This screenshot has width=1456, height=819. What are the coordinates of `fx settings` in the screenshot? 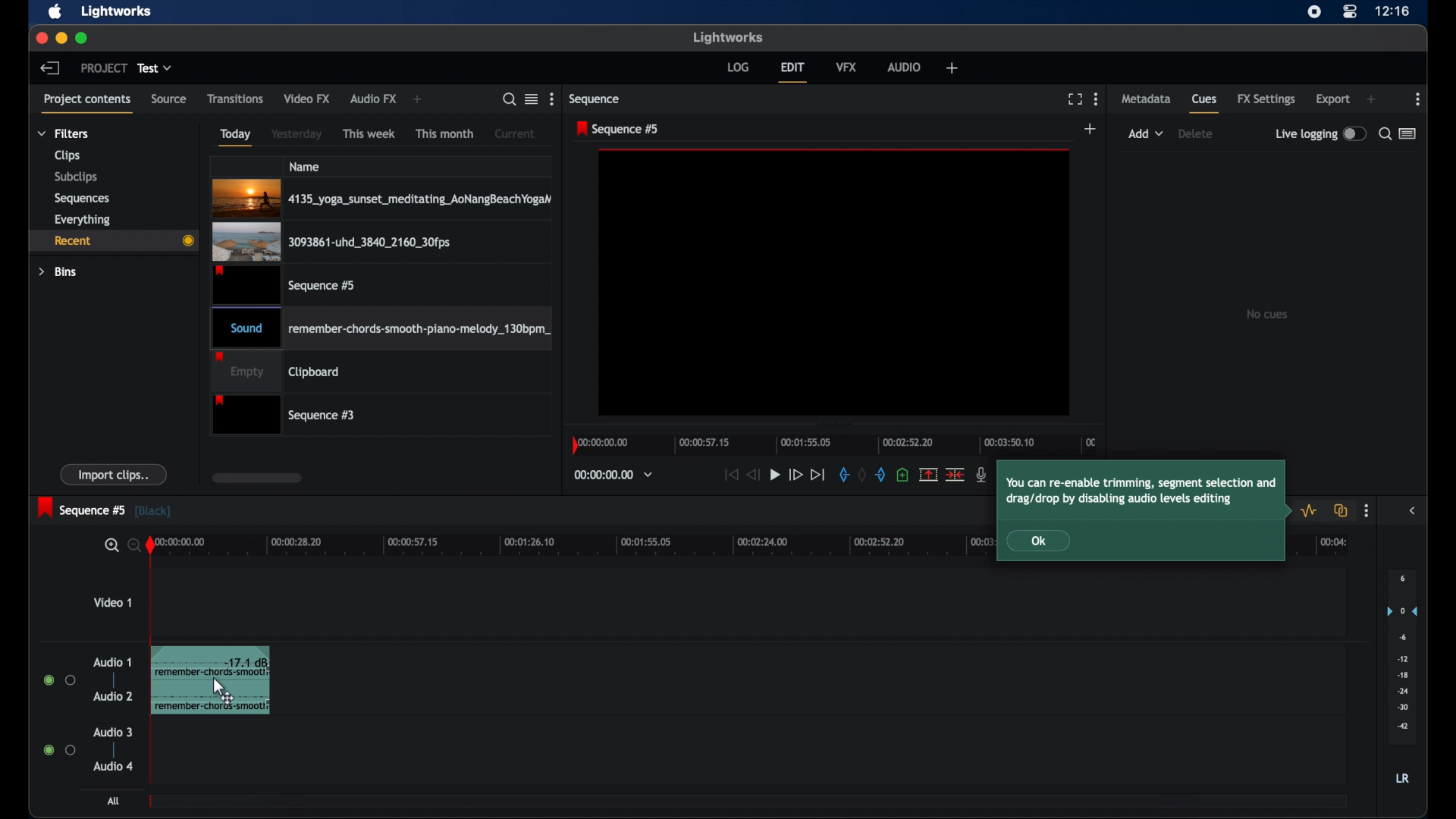 It's located at (1266, 99).